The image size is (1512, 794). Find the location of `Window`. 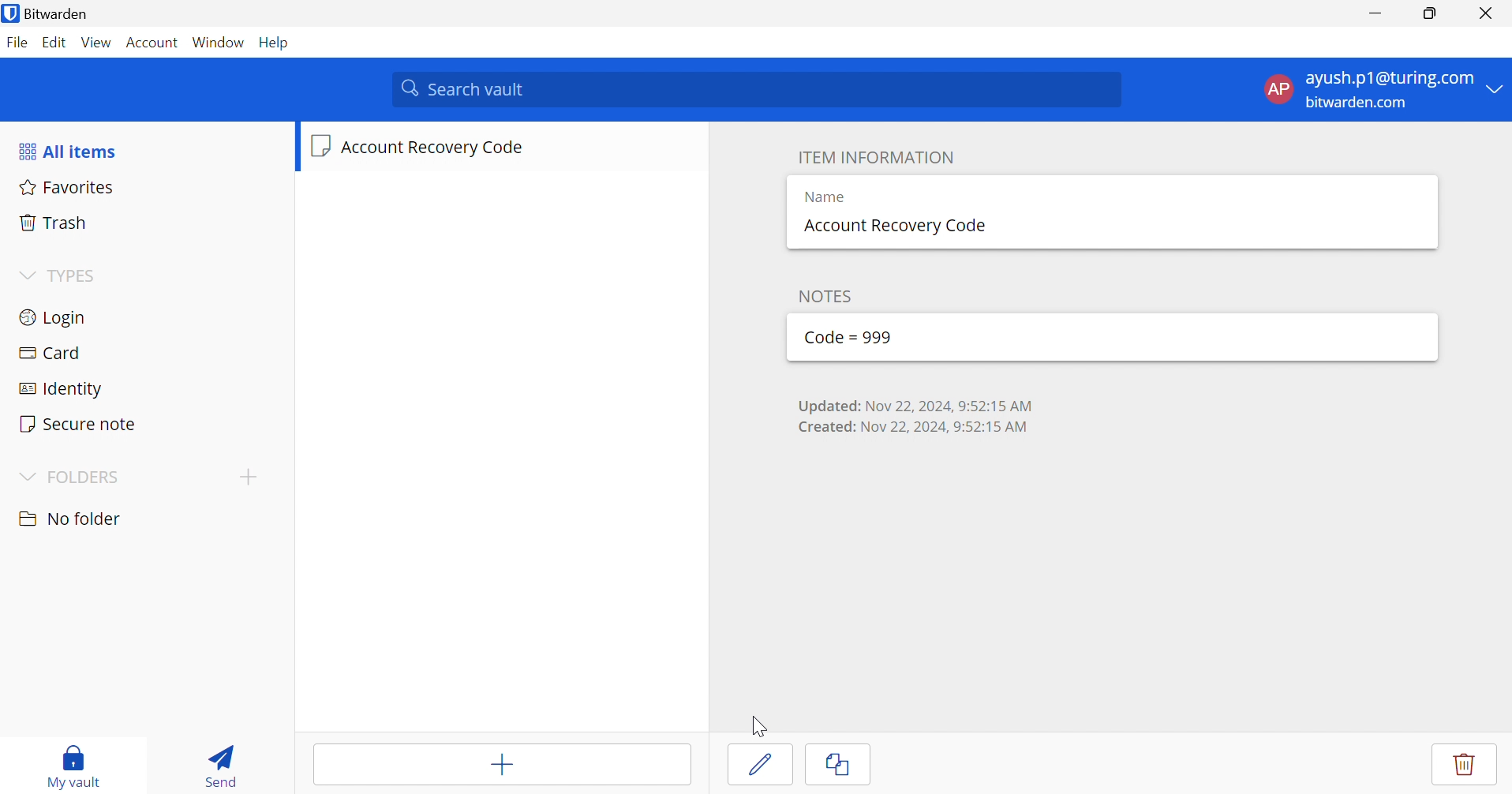

Window is located at coordinates (219, 43).